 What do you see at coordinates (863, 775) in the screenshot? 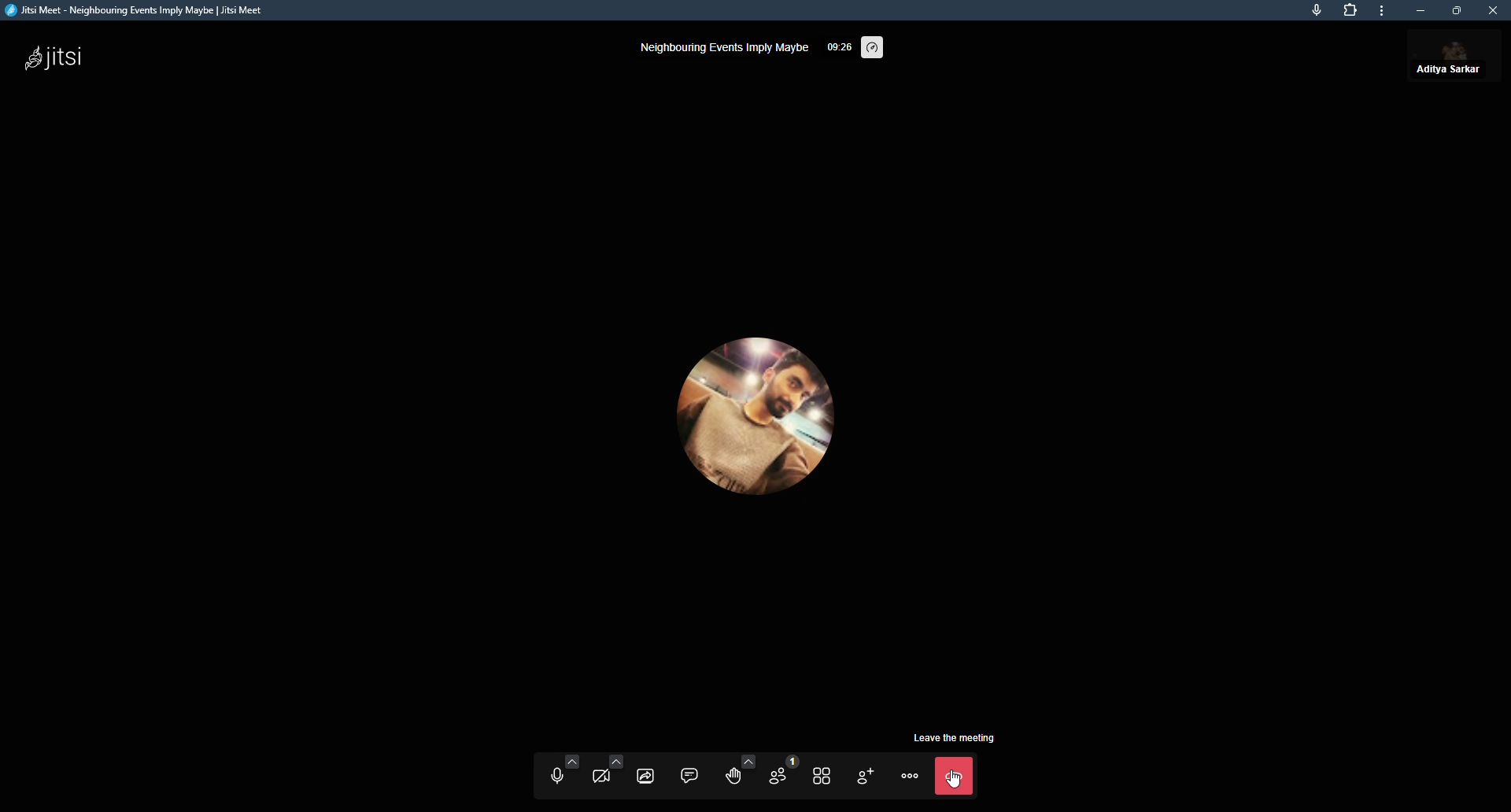
I see `invite people` at bounding box center [863, 775].